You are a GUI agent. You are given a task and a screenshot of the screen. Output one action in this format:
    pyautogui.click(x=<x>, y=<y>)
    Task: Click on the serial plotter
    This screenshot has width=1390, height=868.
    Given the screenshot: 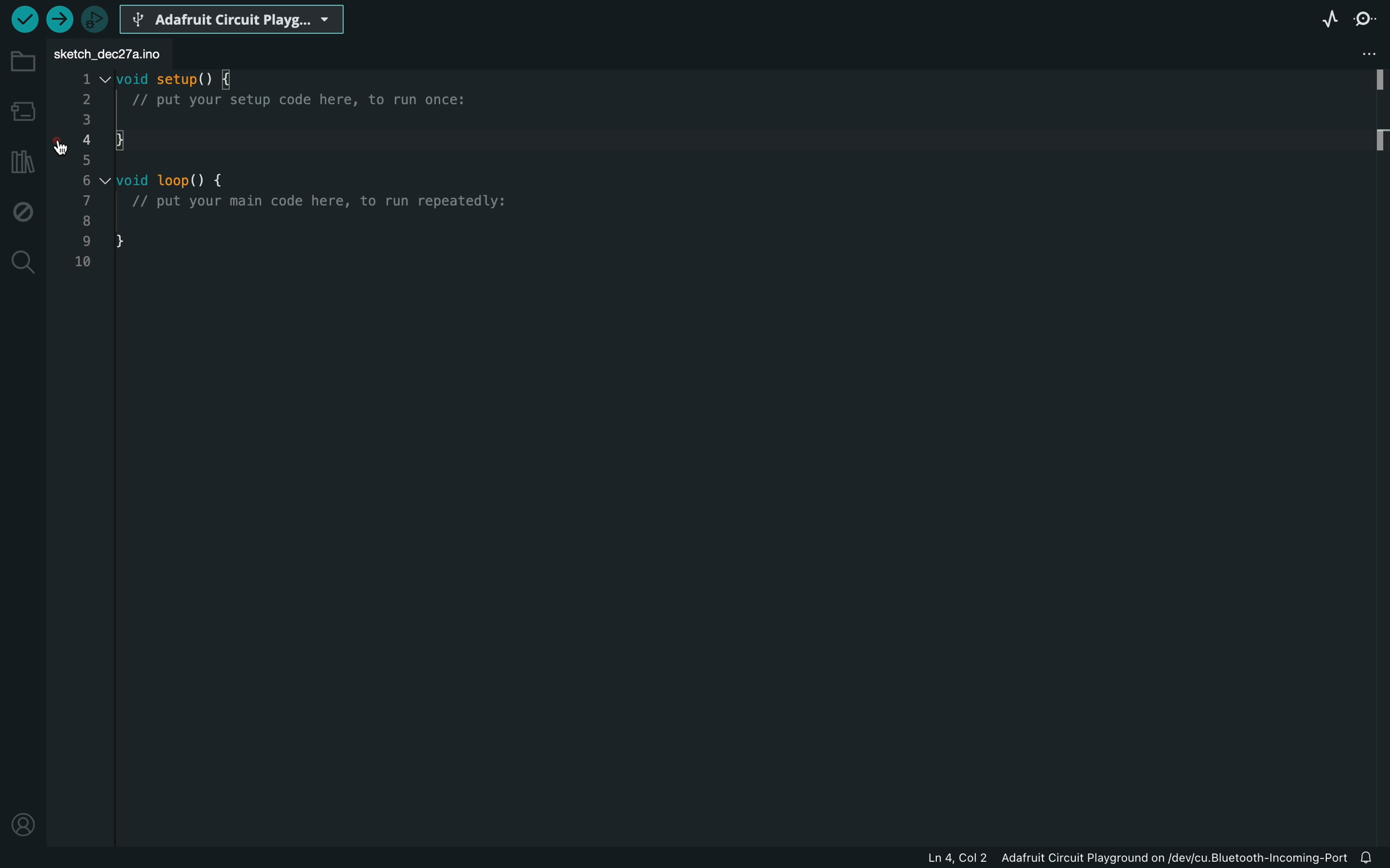 What is the action you would take?
    pyautogui.click(x=1330, y=22)
    